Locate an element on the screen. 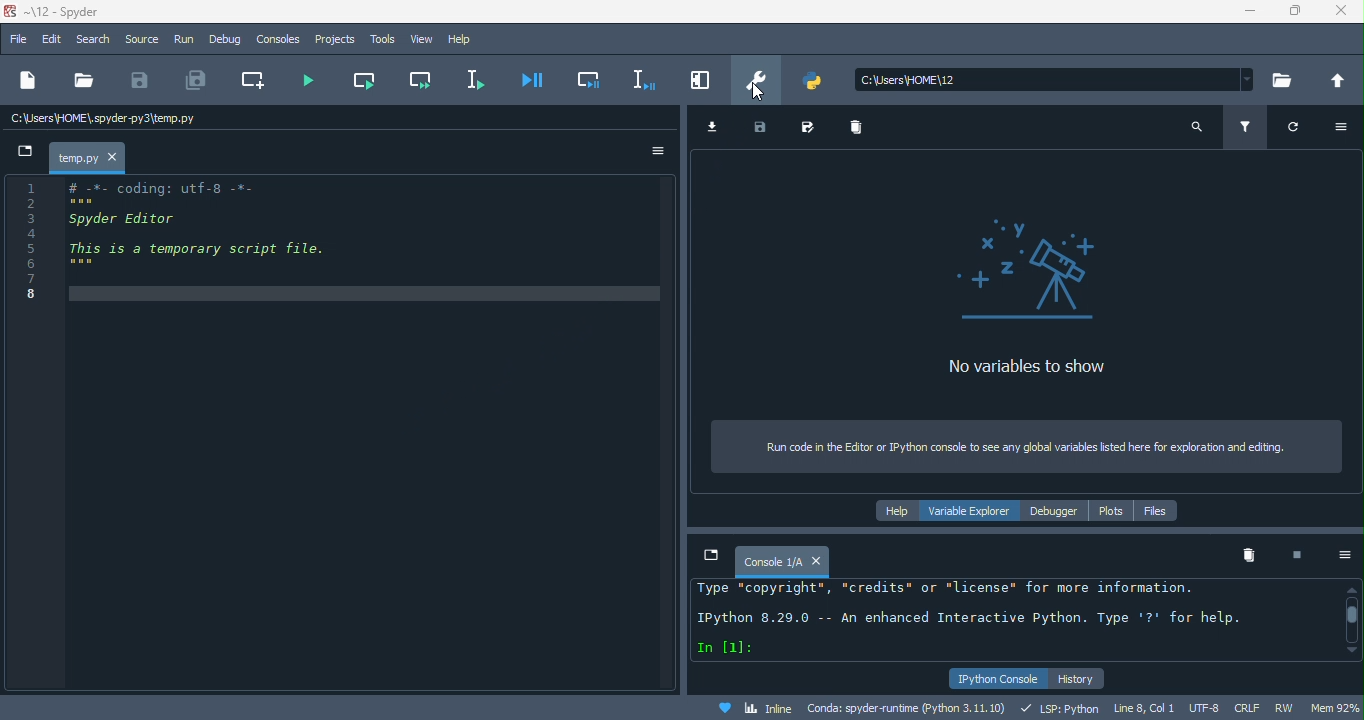 The image size is (1364, 720). delete is located at coordinates (861, 130).